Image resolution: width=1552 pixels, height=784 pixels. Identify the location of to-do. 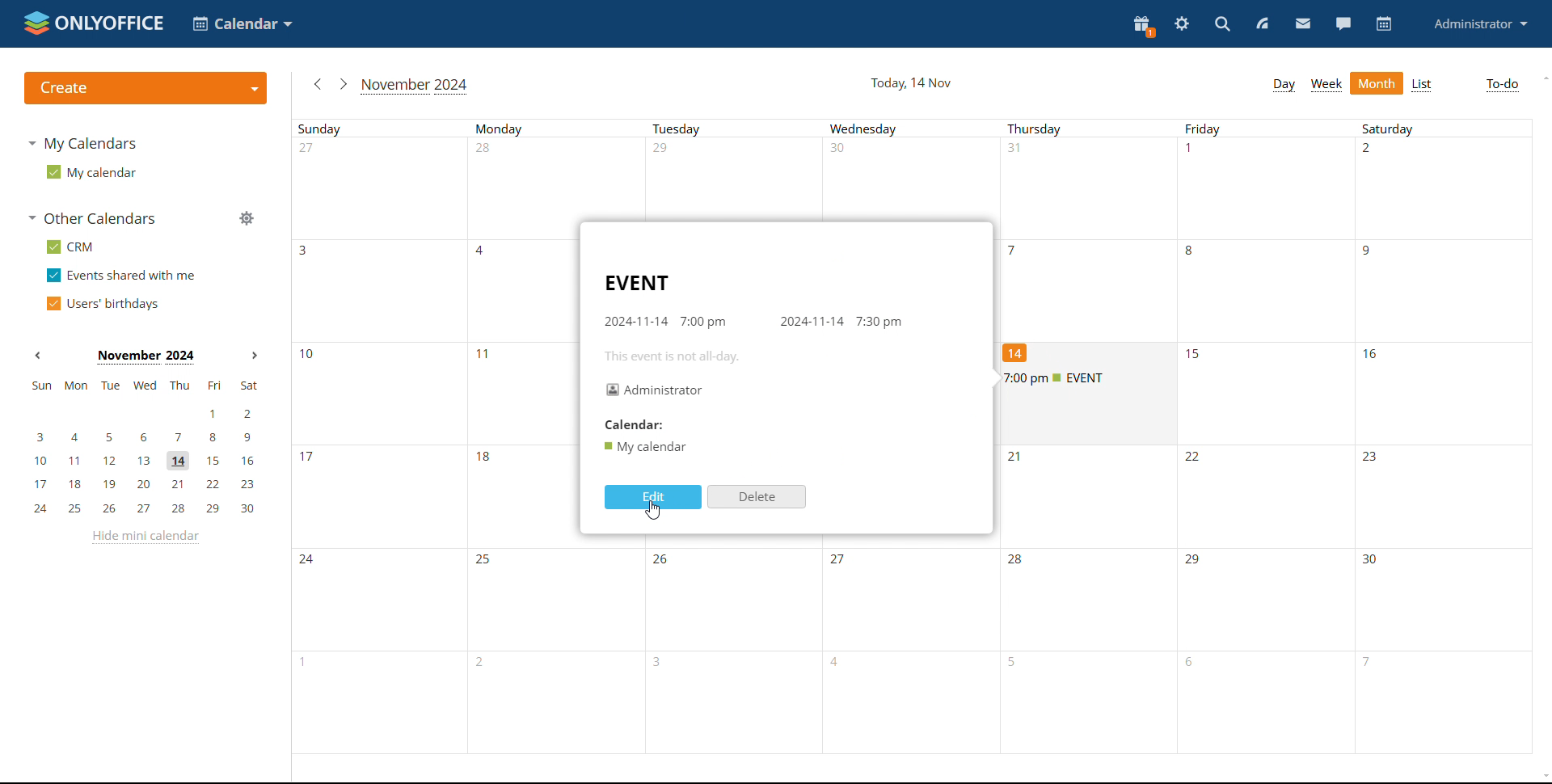
(1502, 86).